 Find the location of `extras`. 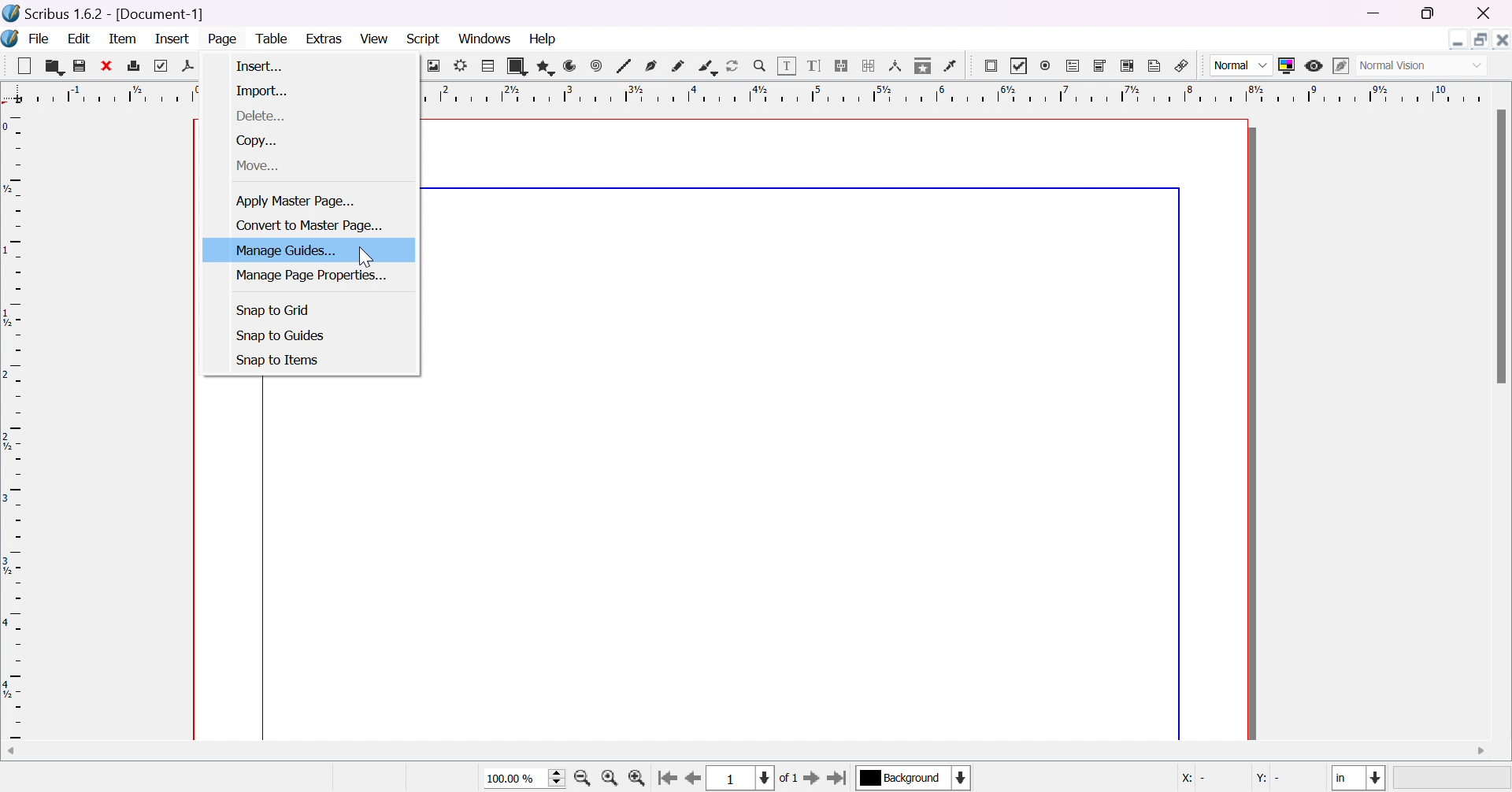

extras is located at coordinates (330, 39).